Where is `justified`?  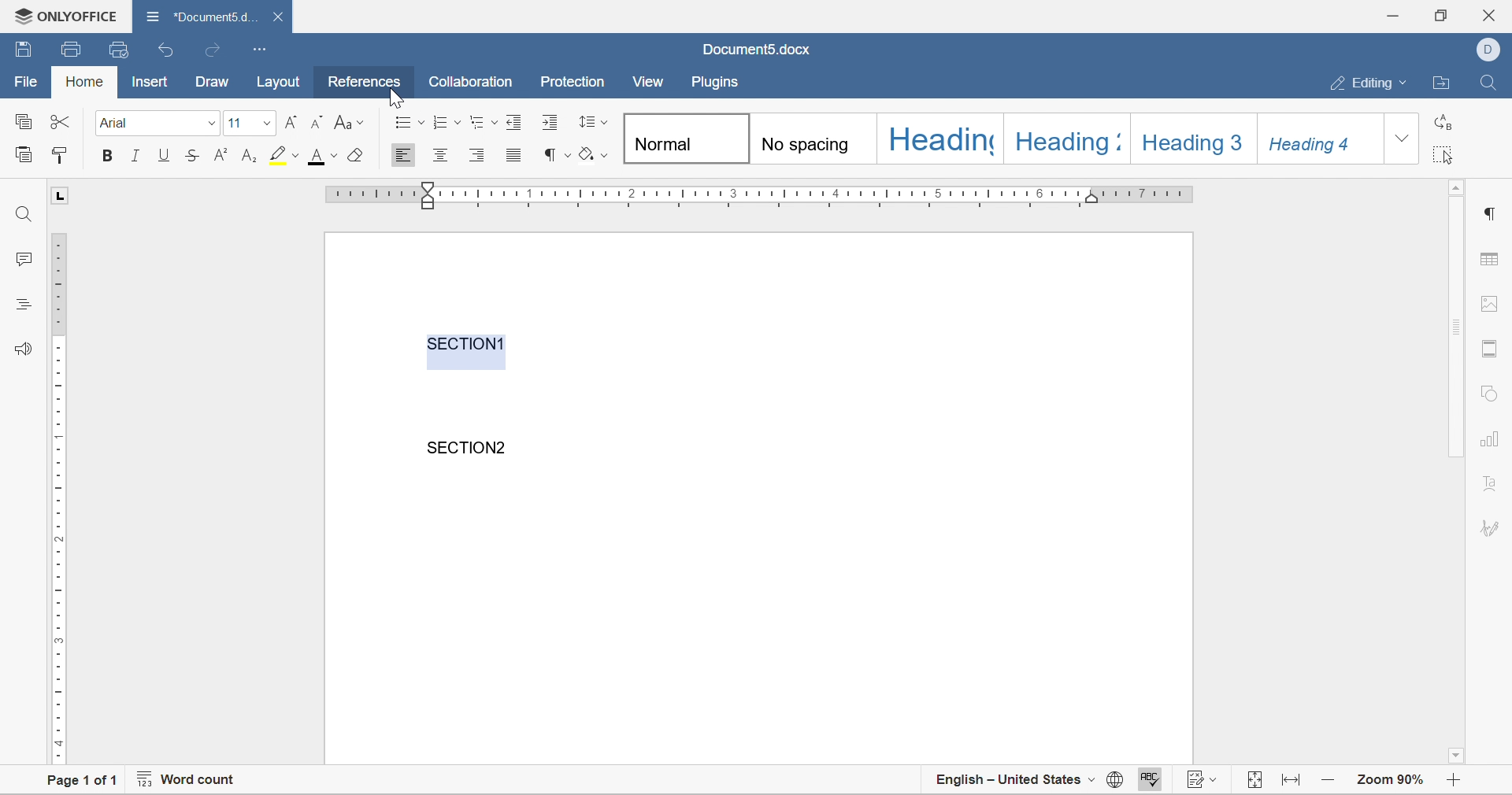 justified is located at coordinates (514, 154).